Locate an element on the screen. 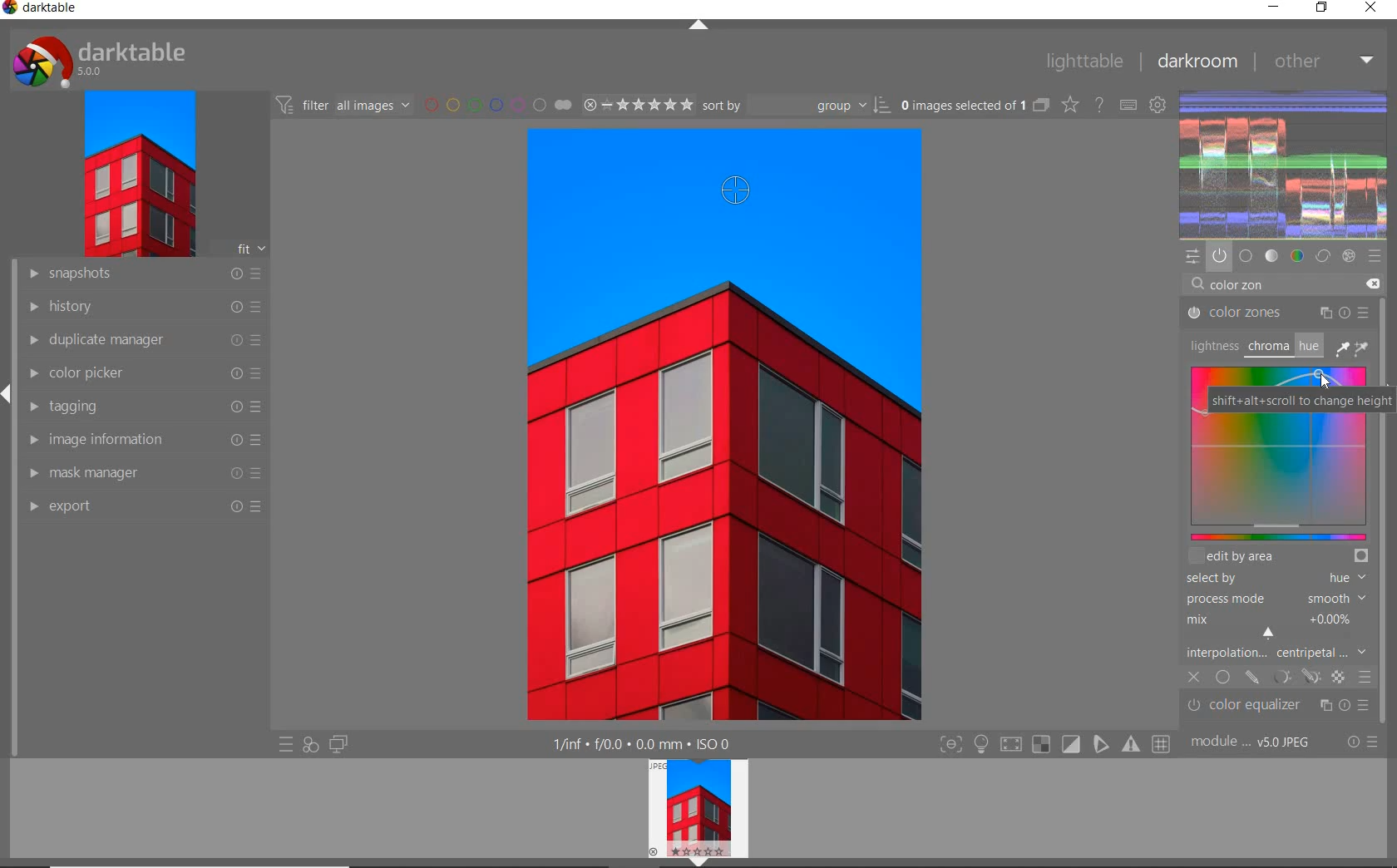 The image size is (1397, 868). shadow is located at coordinates (1009, 745).